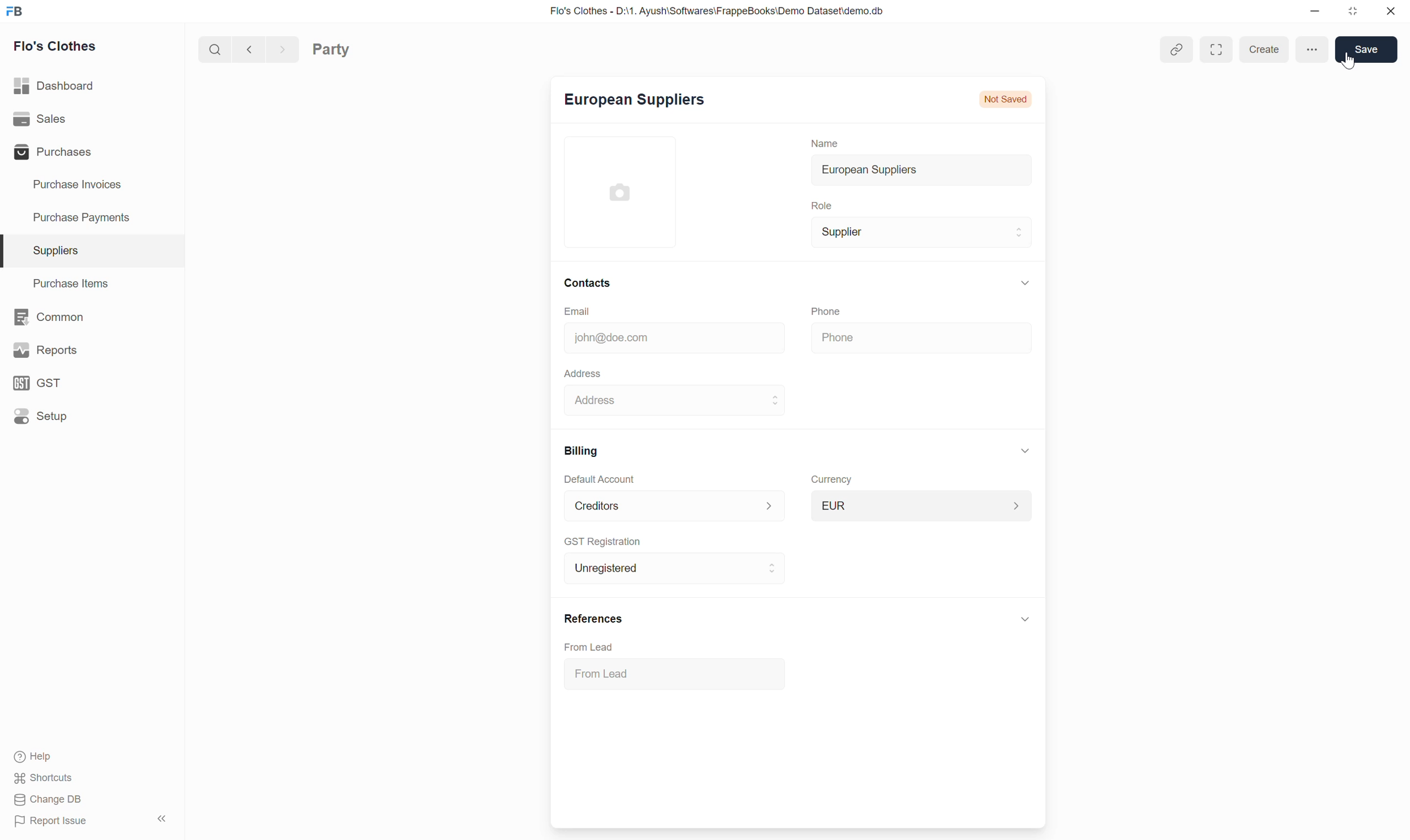  Describe the element at coordinates (1364, 48) in the screenshot. I see `save` at that location.